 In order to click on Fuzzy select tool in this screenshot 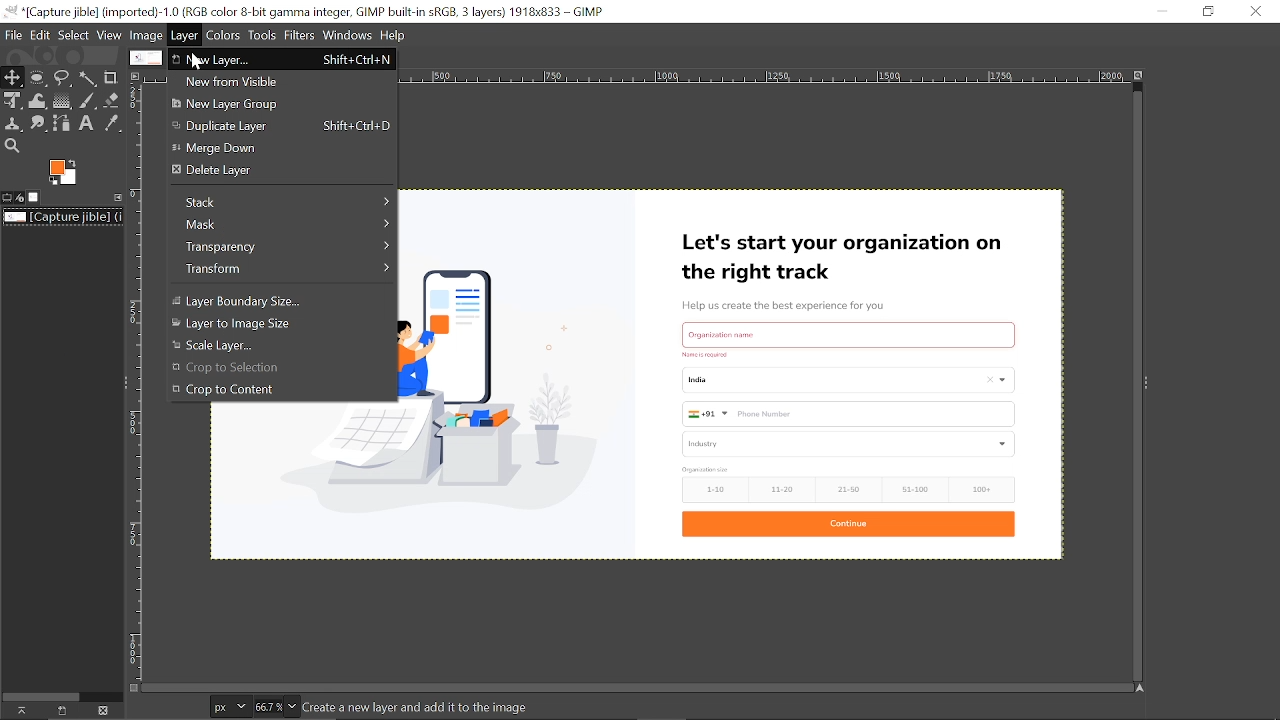, I will do `click(89, 78)`.